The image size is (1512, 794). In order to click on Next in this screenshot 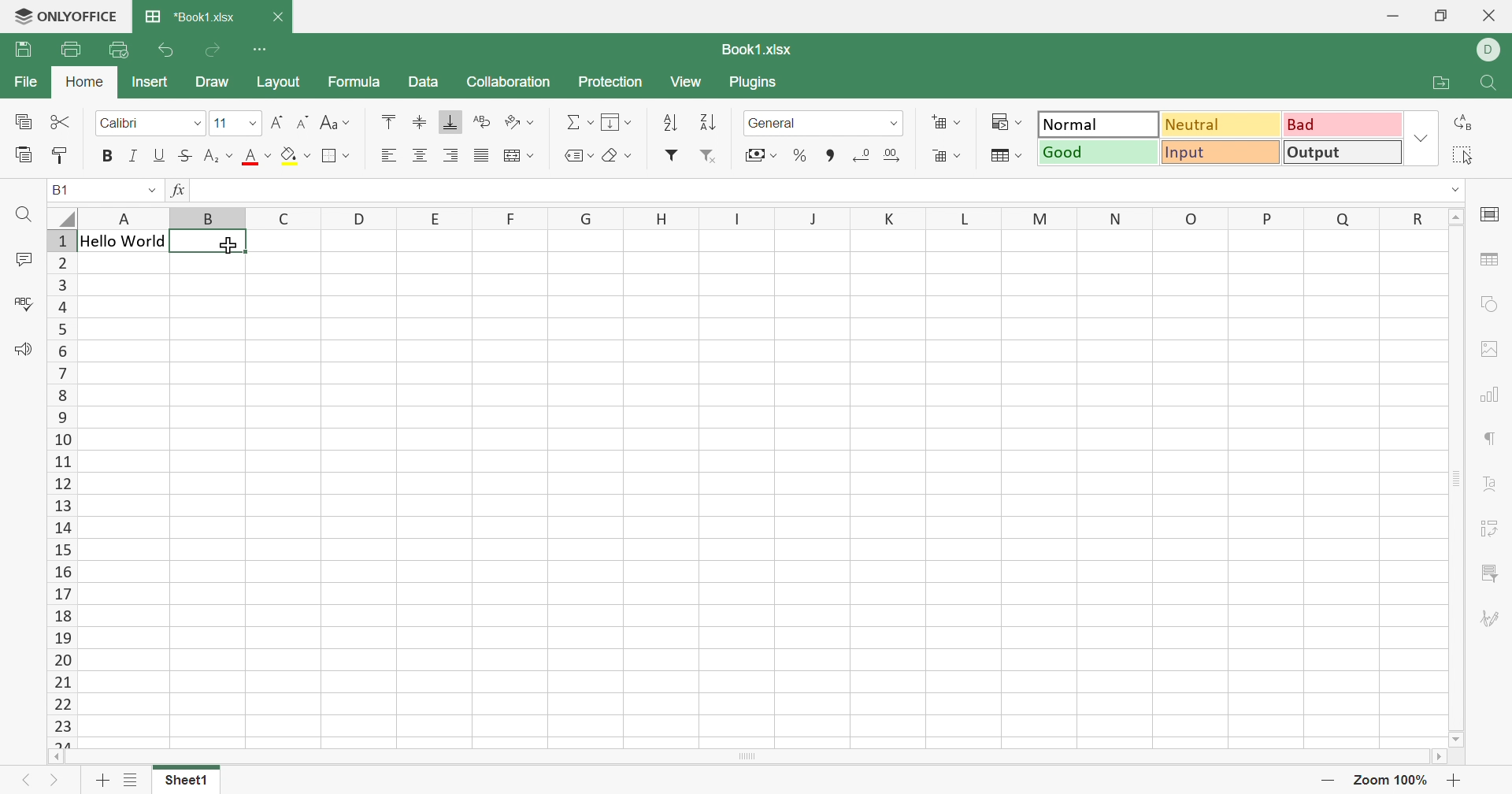, I will do `click(56, 781)`.